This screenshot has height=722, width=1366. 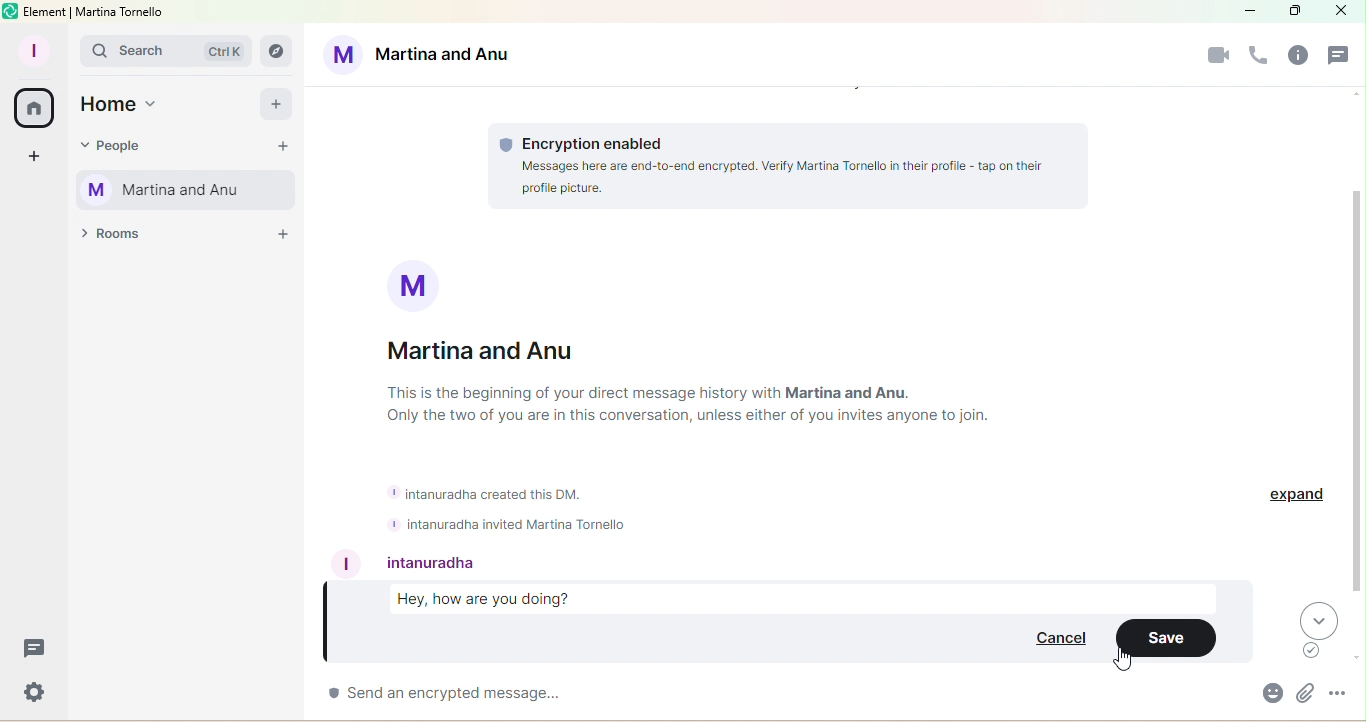 I want to click on profile, so click(x=349, y=563).